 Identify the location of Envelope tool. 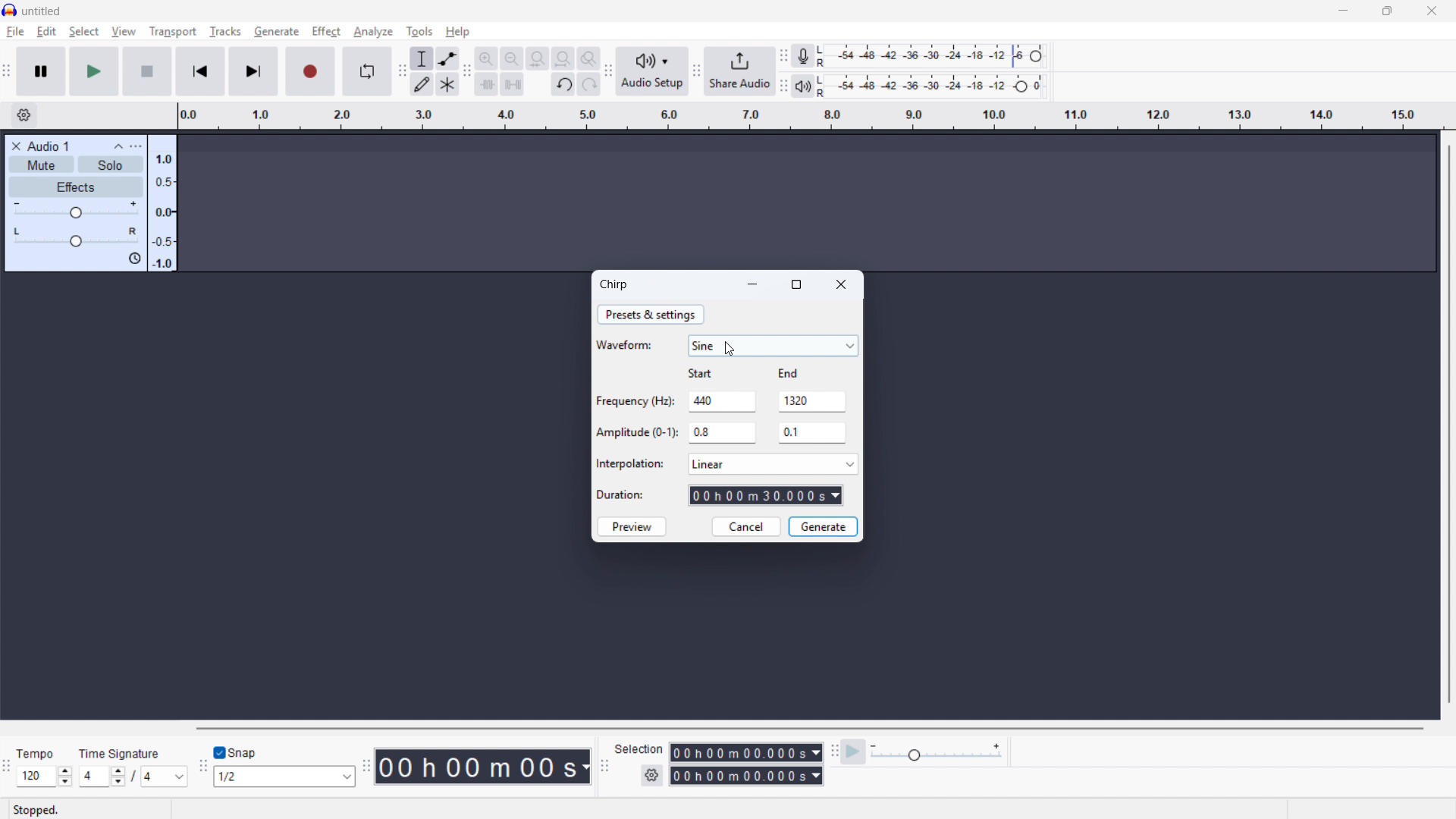
(448, 58).